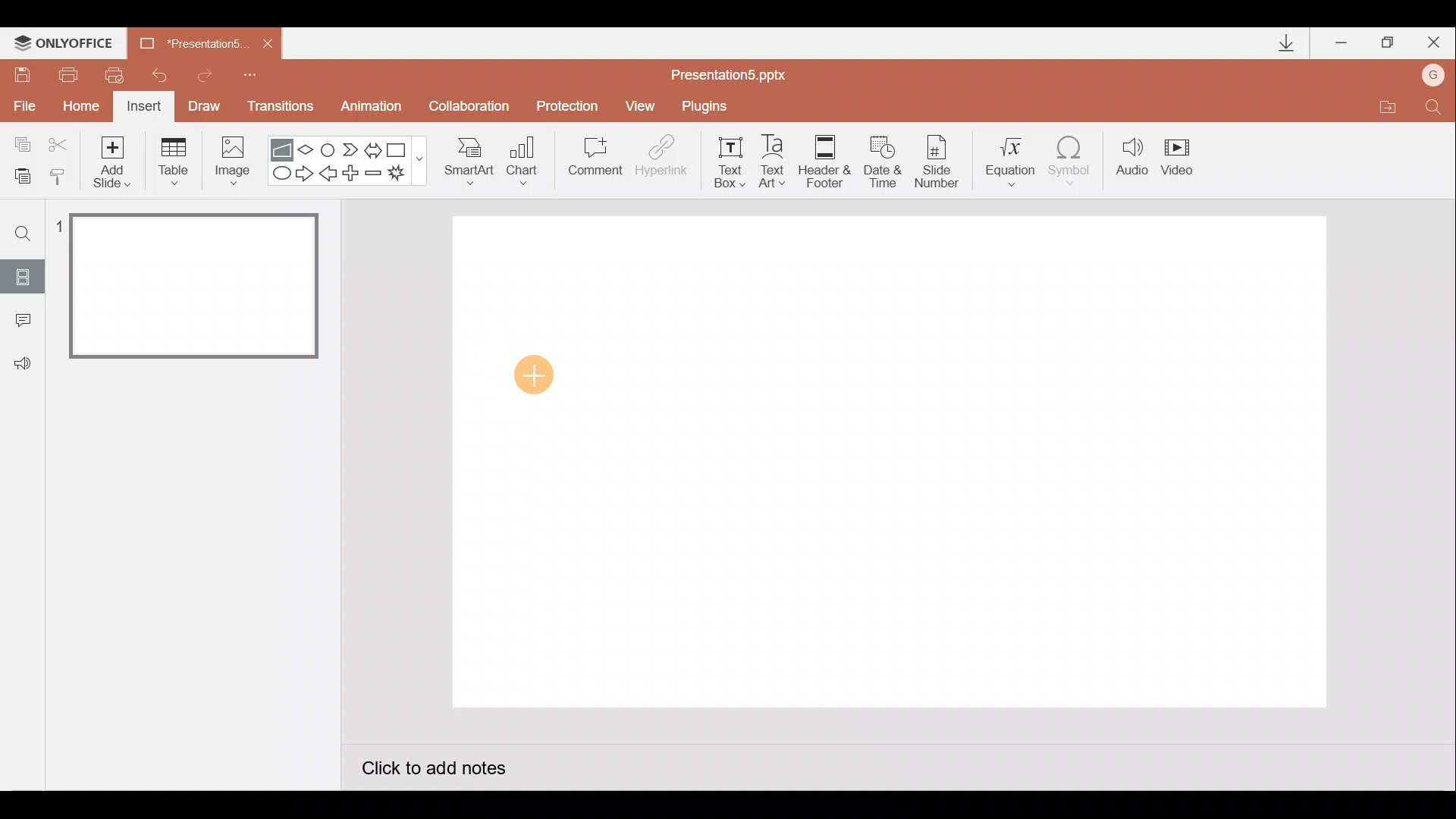 This screenshot has height=819, width=1456. I want to click on Comments, so click(19, 322).